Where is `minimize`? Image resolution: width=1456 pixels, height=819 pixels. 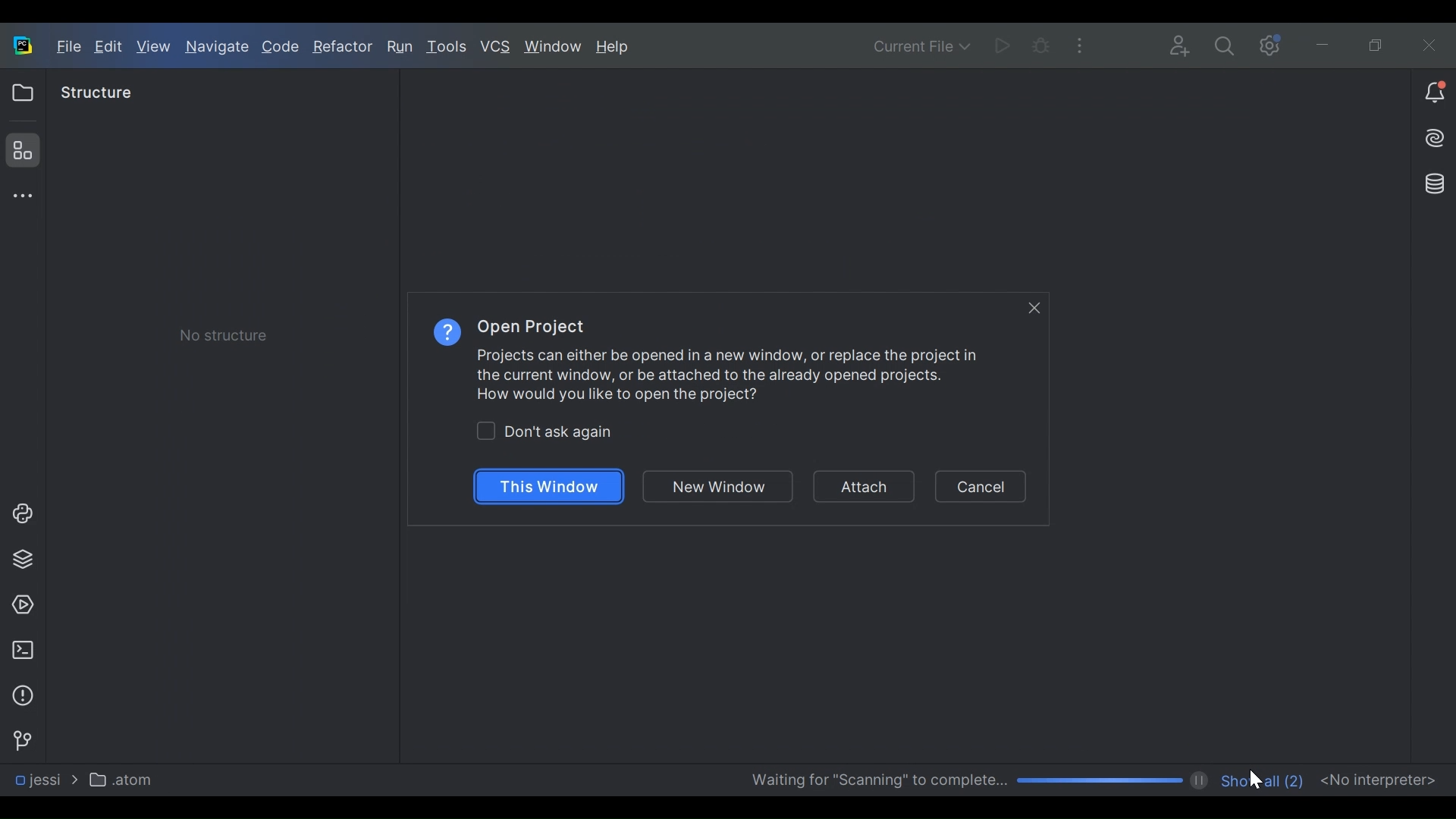
minimize is located at coordinates (1321, 45).